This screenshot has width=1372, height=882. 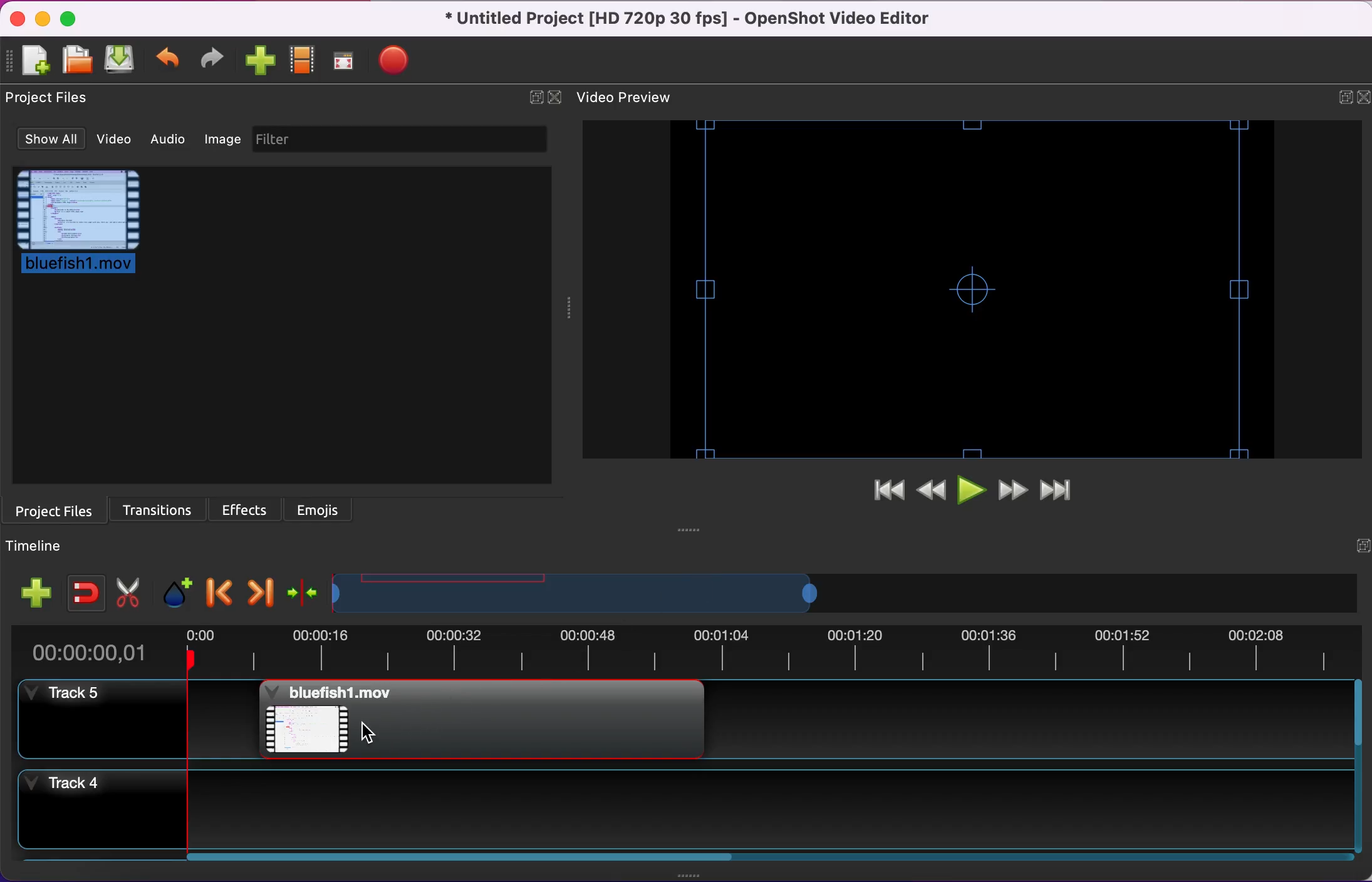 What do you see at coordinates (1029, 719) in the screenshot?
I see `track 5` at bounding box center [1029, 719].